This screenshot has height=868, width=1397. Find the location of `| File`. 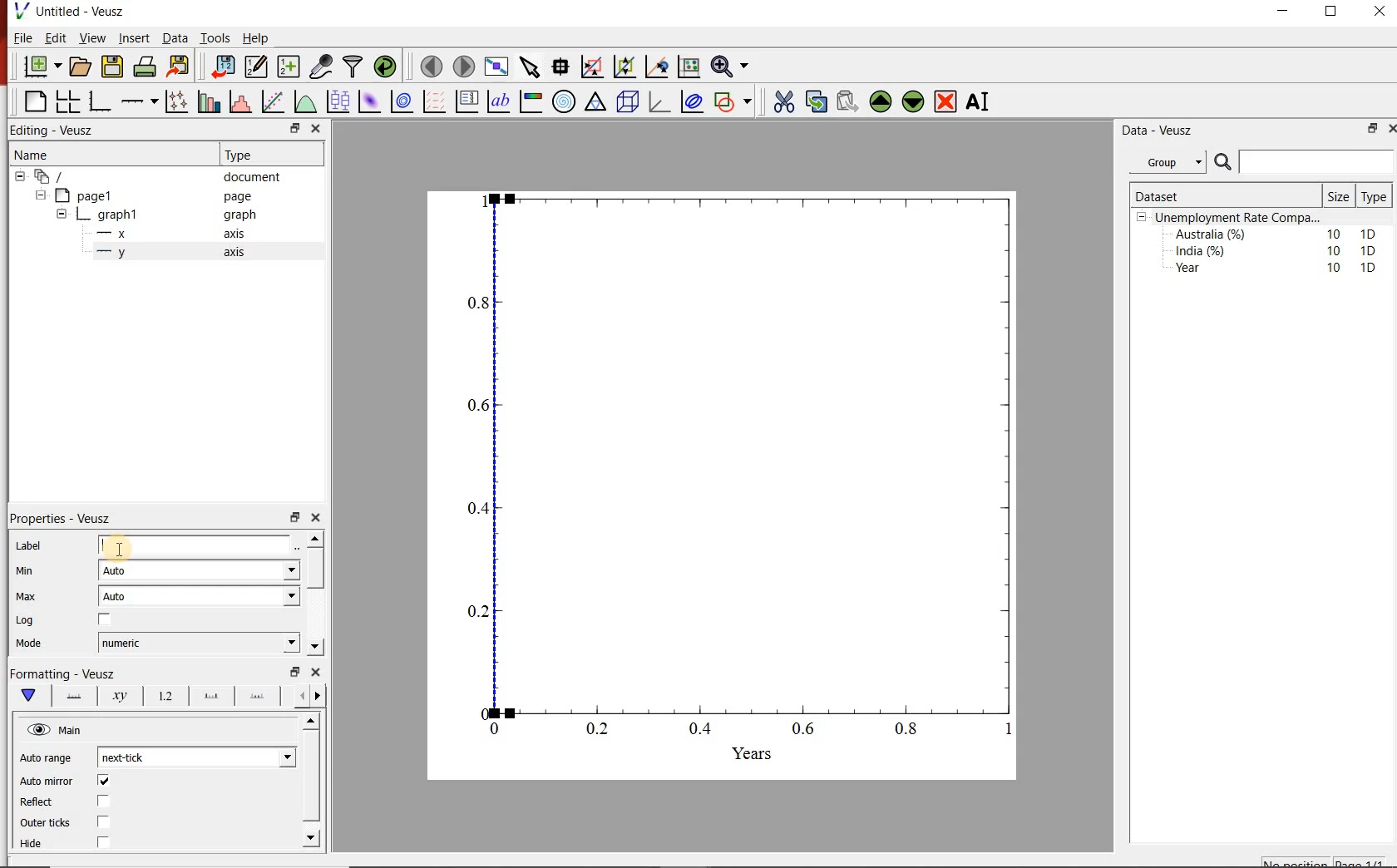

| File is located at coordinates (19, 37).